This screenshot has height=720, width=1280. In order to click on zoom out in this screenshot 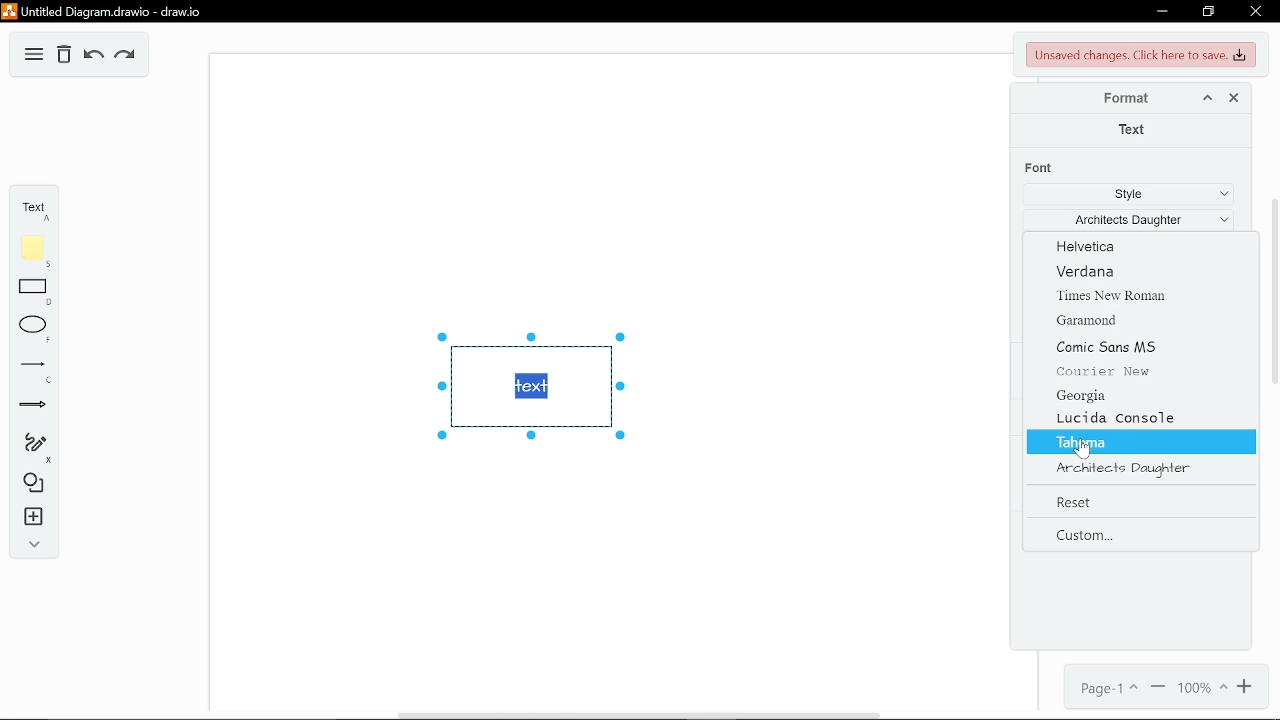, I will do `click(1158, 687)`.